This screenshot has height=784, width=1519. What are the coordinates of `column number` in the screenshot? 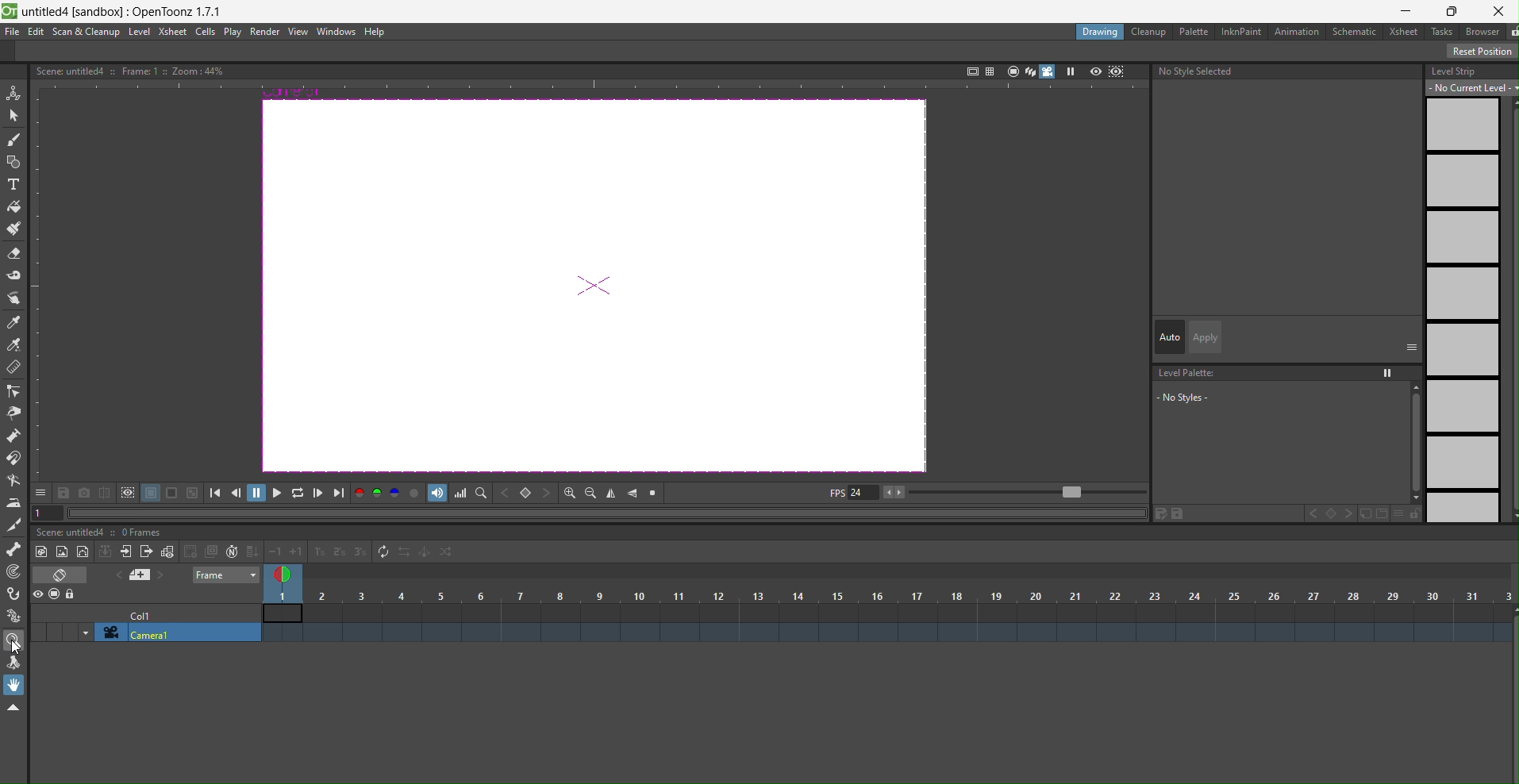 It's located at (889, 604).